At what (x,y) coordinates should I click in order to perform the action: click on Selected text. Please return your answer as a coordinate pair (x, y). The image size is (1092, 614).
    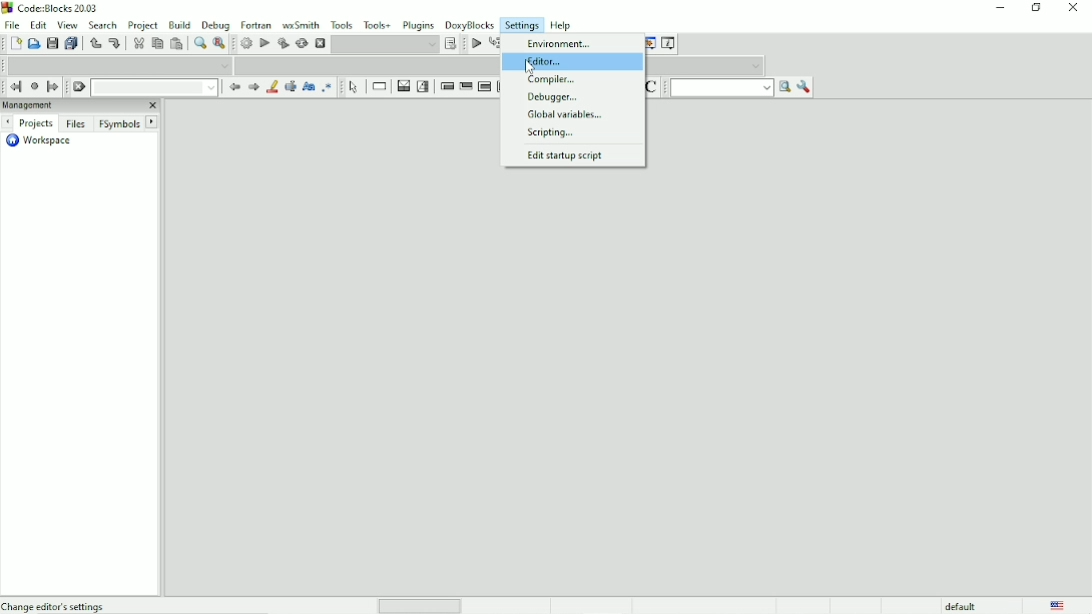
    Looking at the image, I should click on (291, 87).